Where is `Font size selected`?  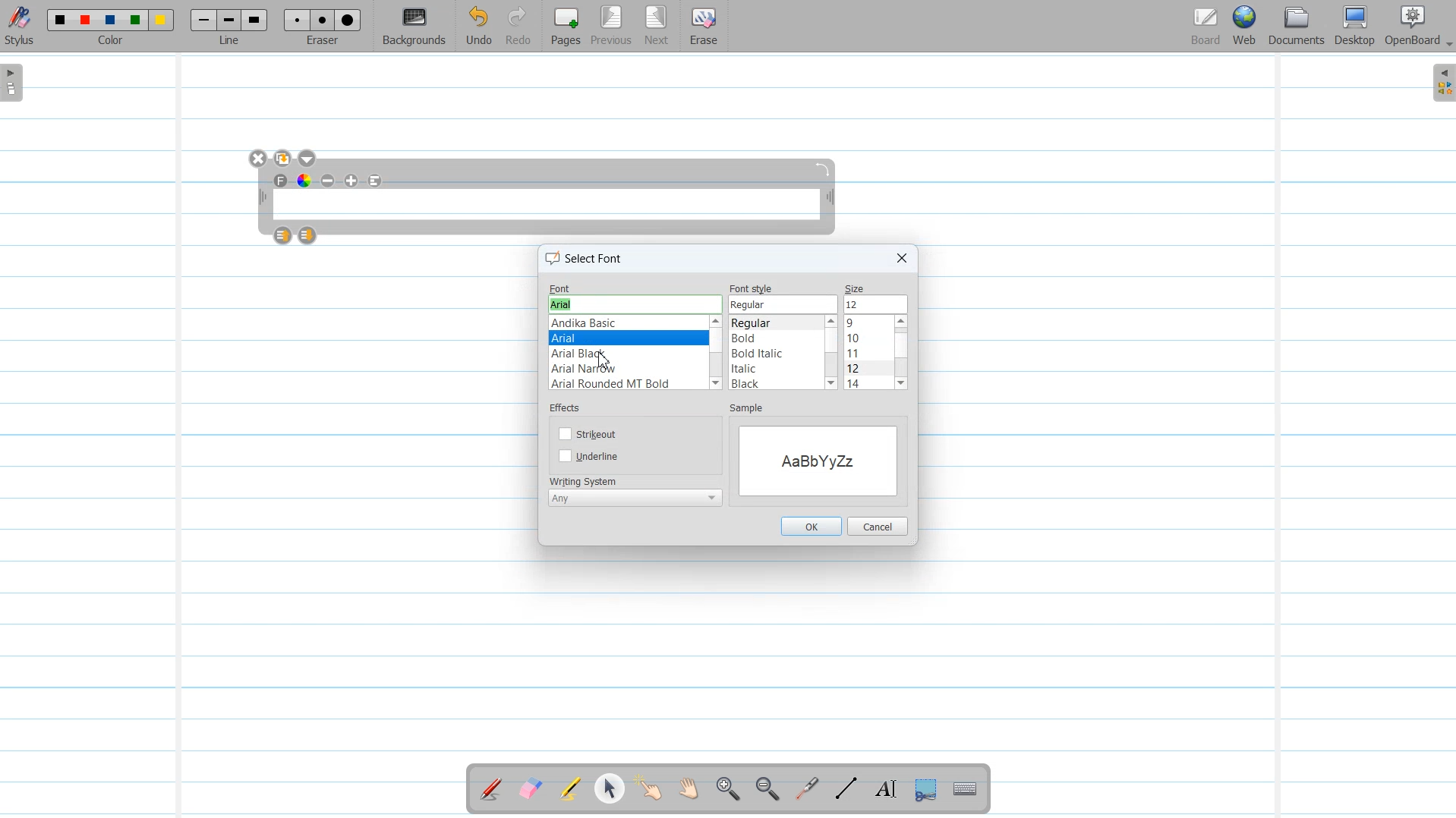
Font size selected is located at coordinates (875, 304).